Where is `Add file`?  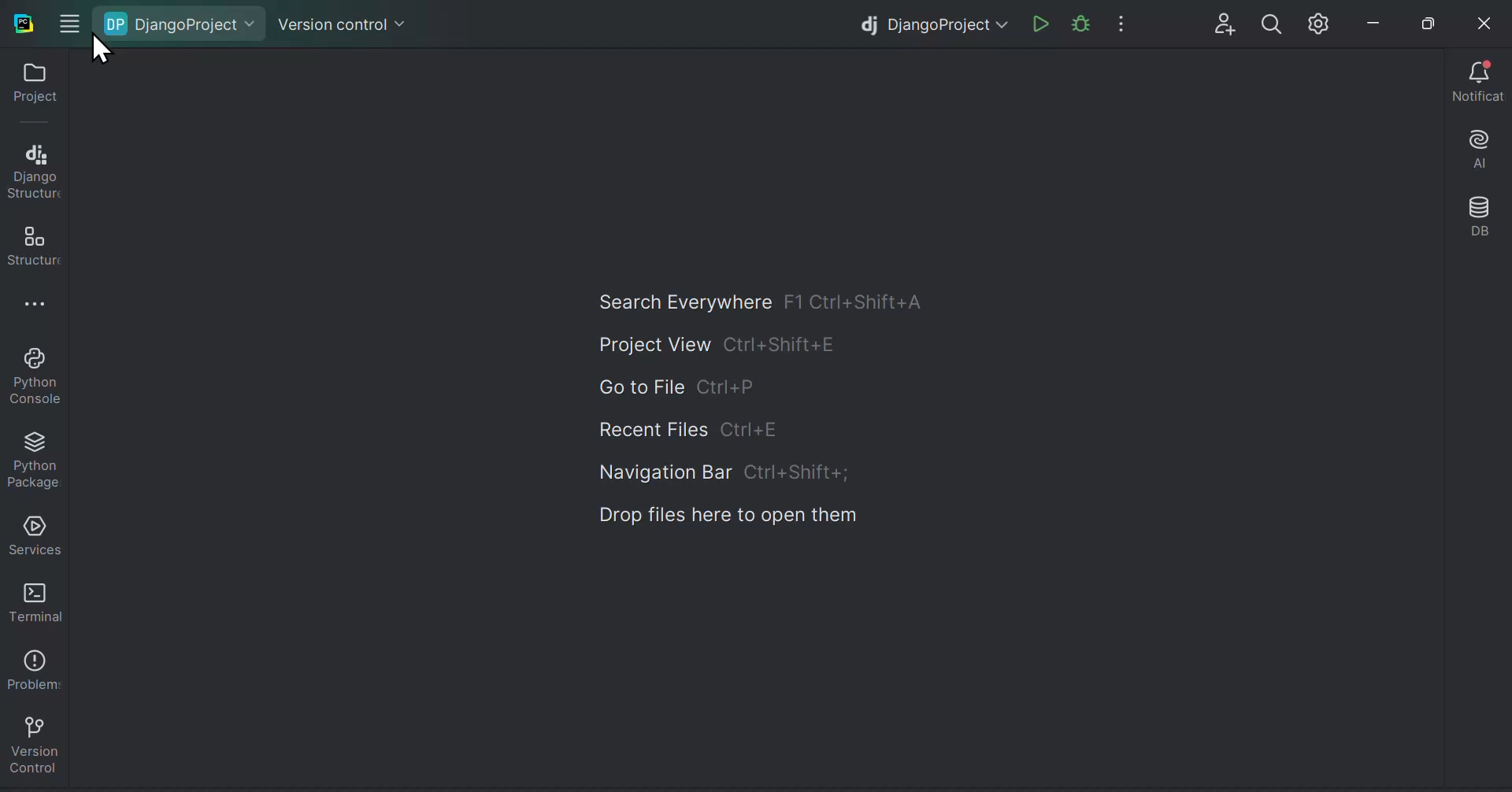 Add file is located at coordinates (1217, 21).